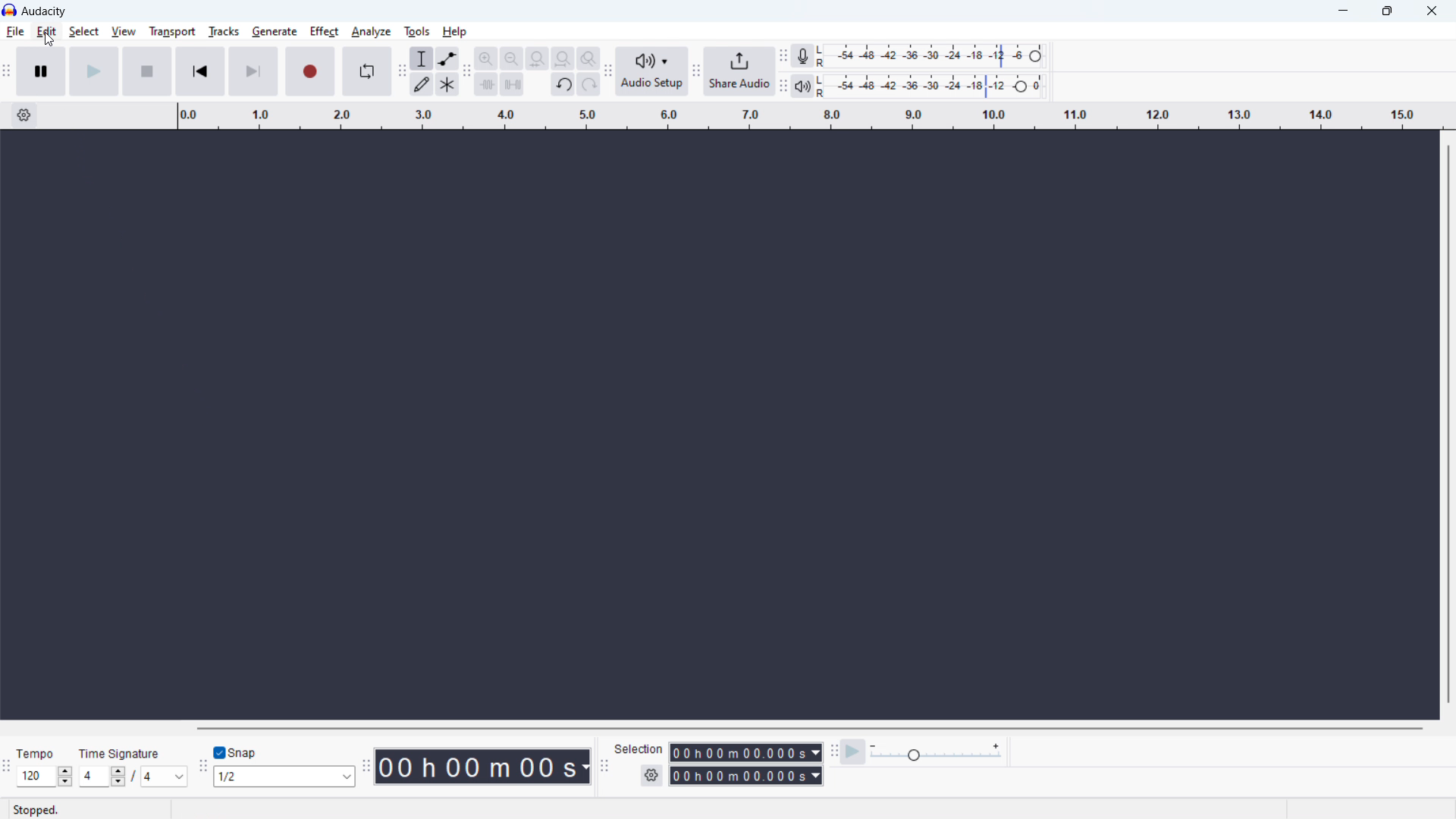  What do you see at coordinates (124, 31) in the screenshot?
I see `view` at bounding box center [124, 31].